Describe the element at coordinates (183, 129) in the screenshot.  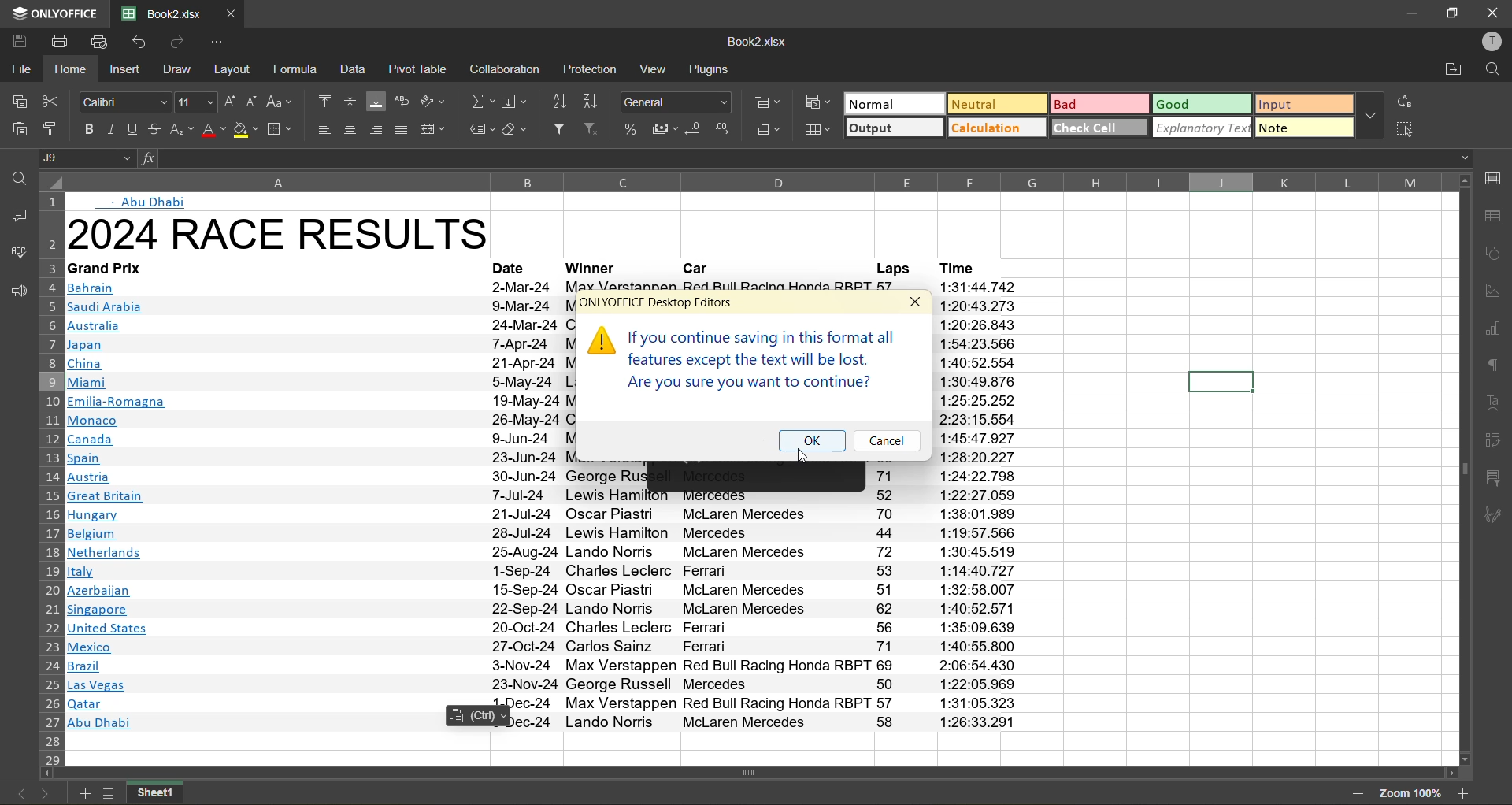
I see `sub\superscript` at that location.